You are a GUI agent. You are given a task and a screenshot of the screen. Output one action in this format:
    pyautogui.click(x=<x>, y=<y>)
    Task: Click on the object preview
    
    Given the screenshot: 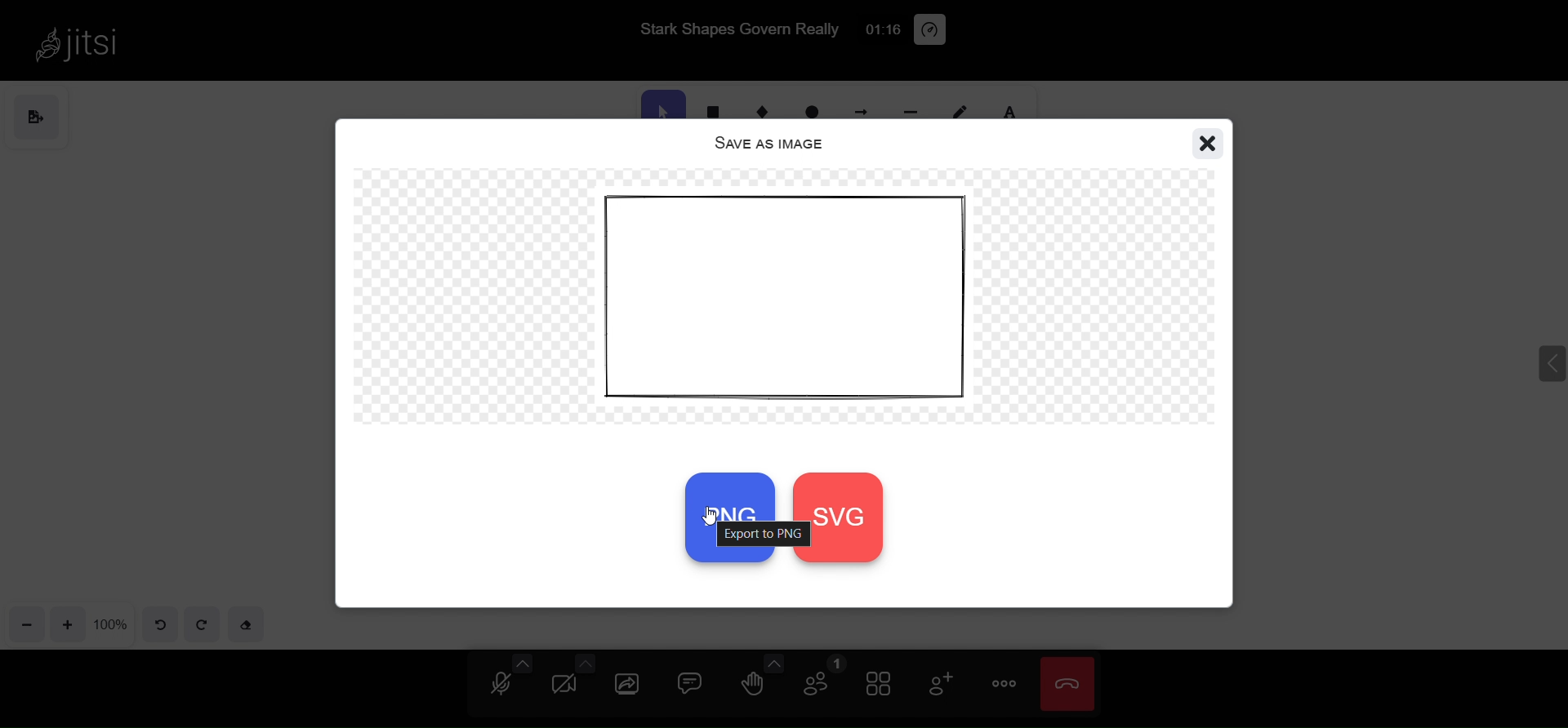 What is the action you would take?
    pyautogui.click(x=797, y=303)
    